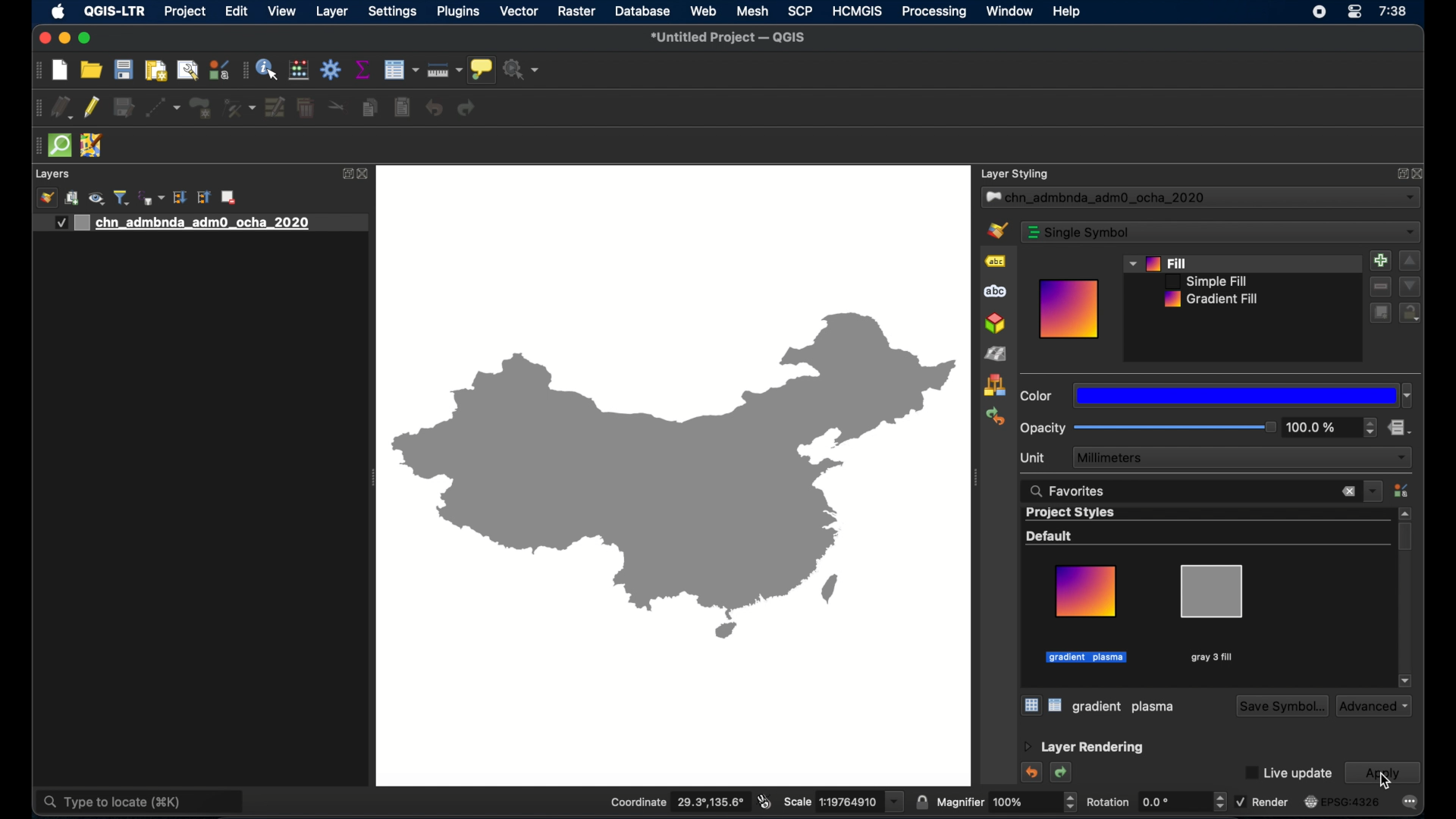  I want to click on edit, so click(237, 11).